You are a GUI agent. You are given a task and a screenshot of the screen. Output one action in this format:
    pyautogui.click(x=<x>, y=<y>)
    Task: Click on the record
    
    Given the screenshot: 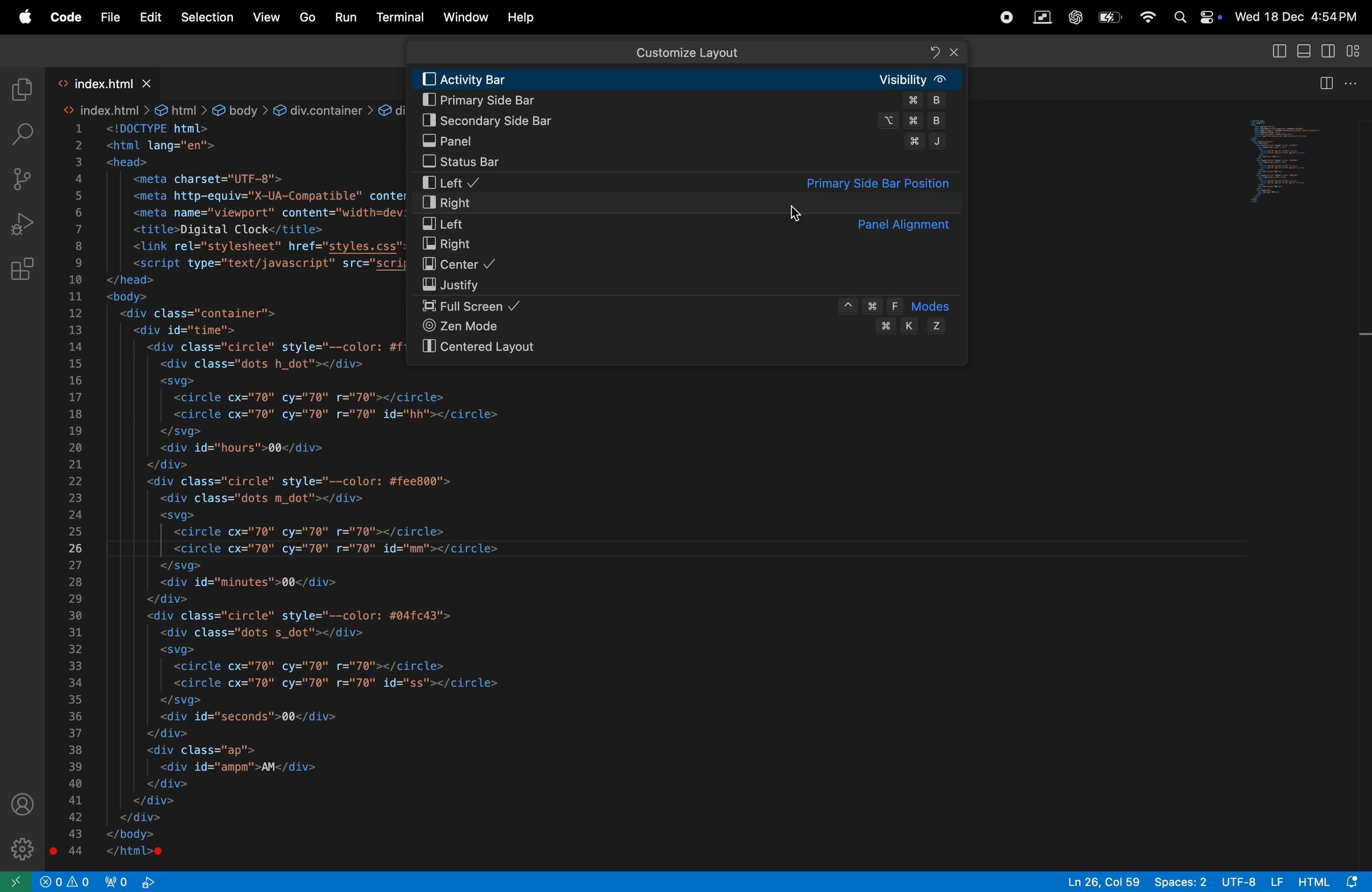 What is the action you would take?
    pyautogui.click(x=1006, y=17)
    